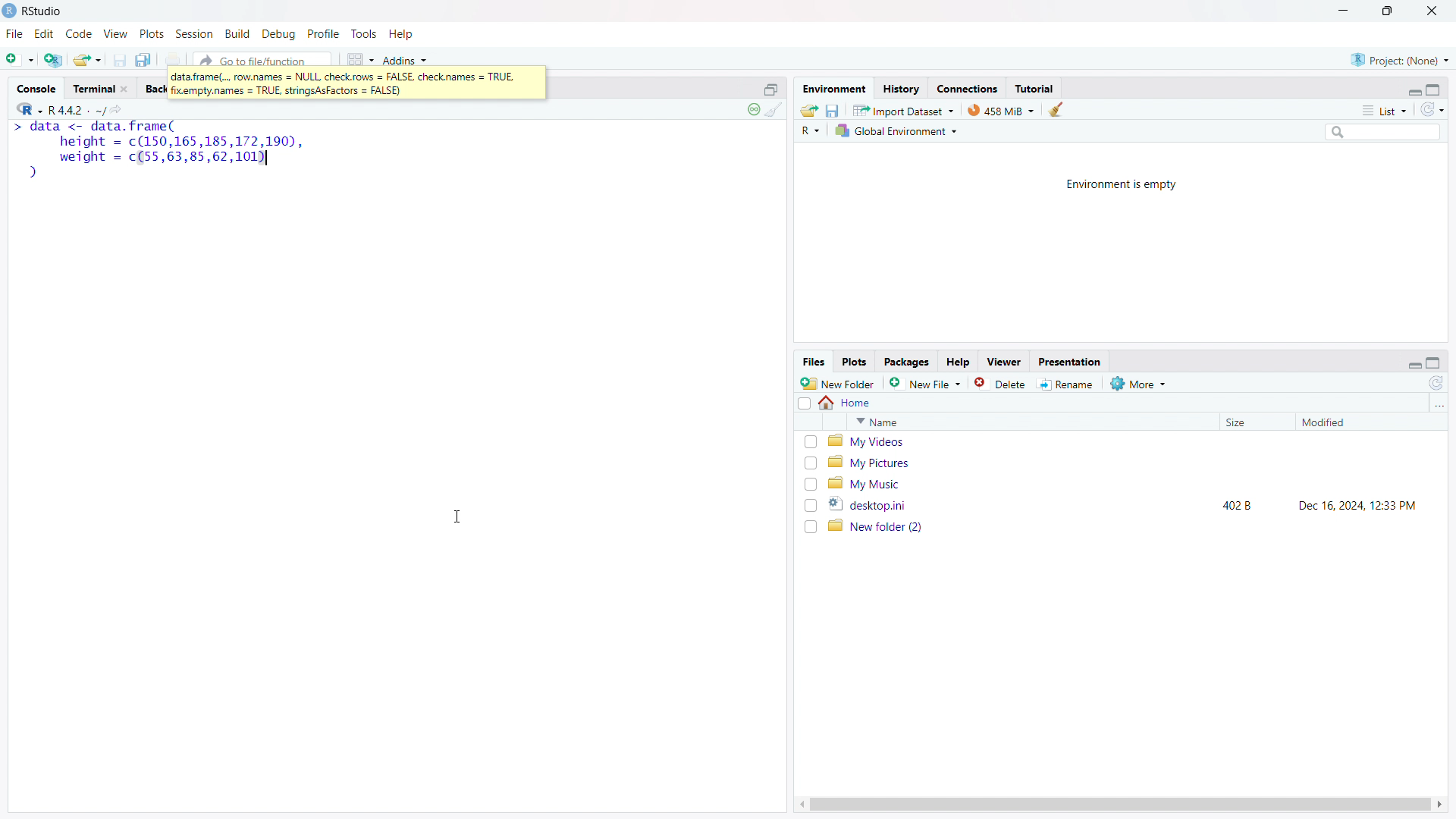 The width and height of the screenshot is (1456, 819). What do you see at coordinates (1034, 88) in the screenshot?
I see `tutorial` at bounding box center [1034, 88].